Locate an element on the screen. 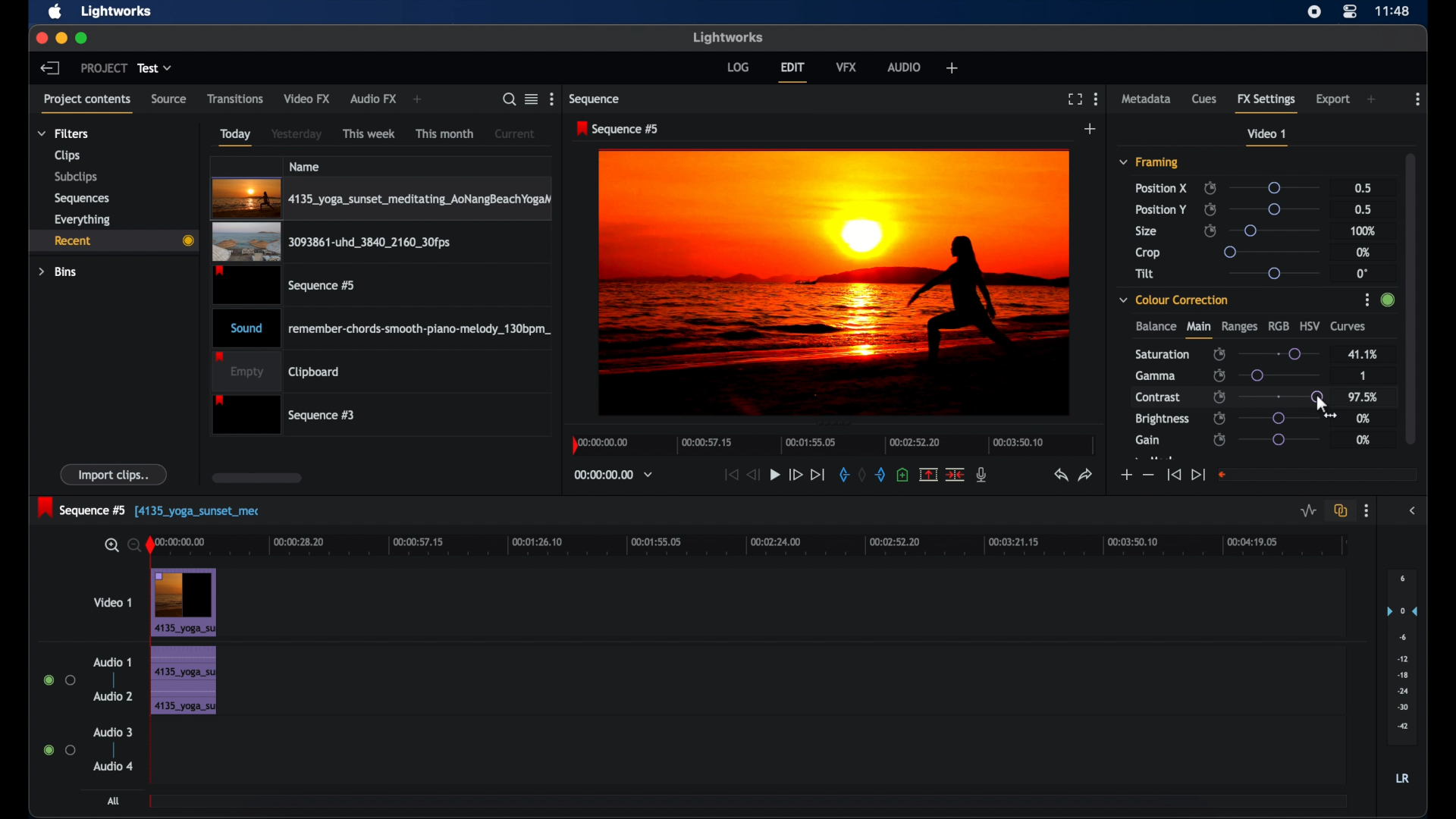 The width and height of the screenshot is (1456, 819). project contents is located at coordinates (89, 102).